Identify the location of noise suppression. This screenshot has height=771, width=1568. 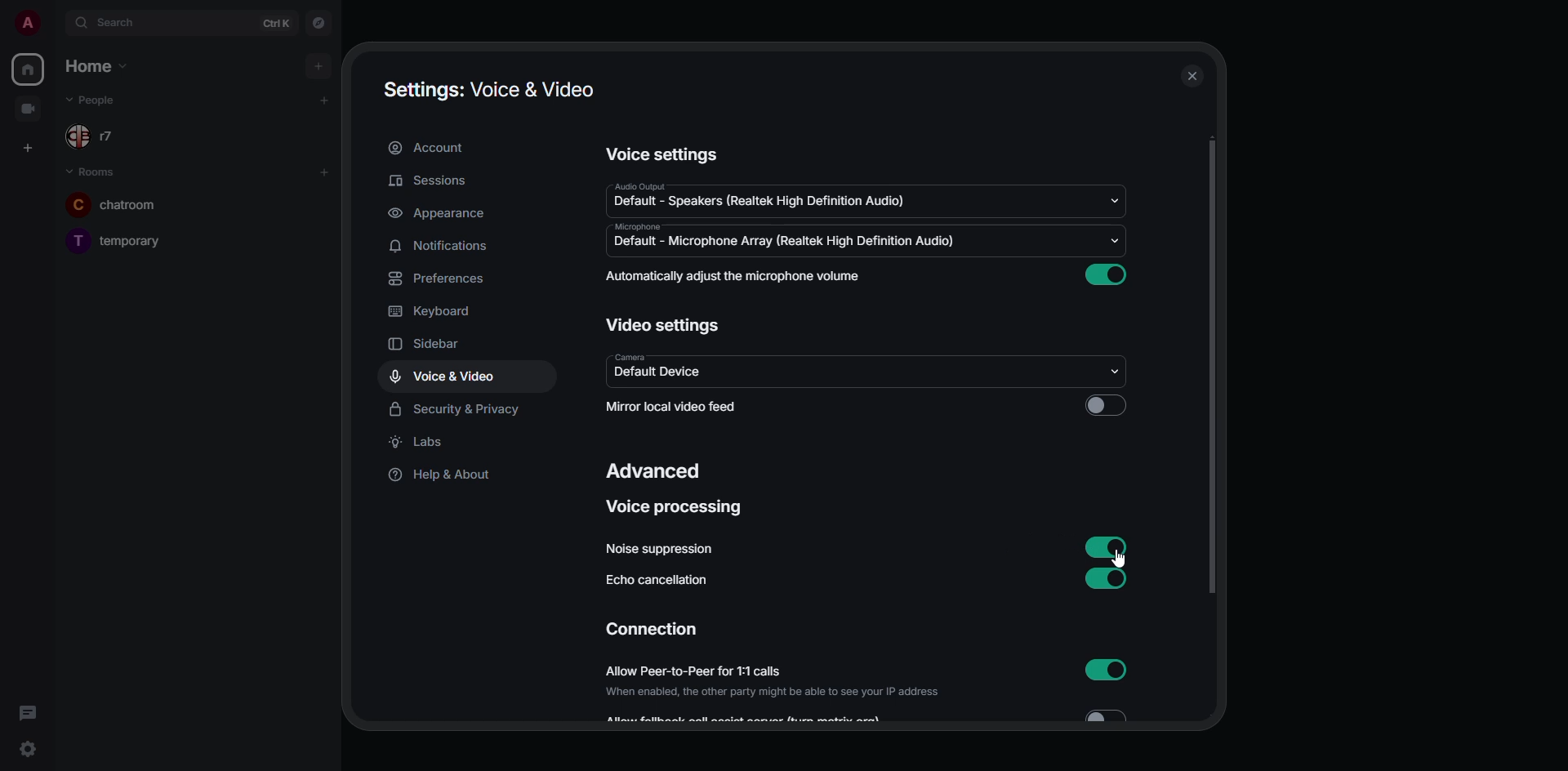
(661, 549).